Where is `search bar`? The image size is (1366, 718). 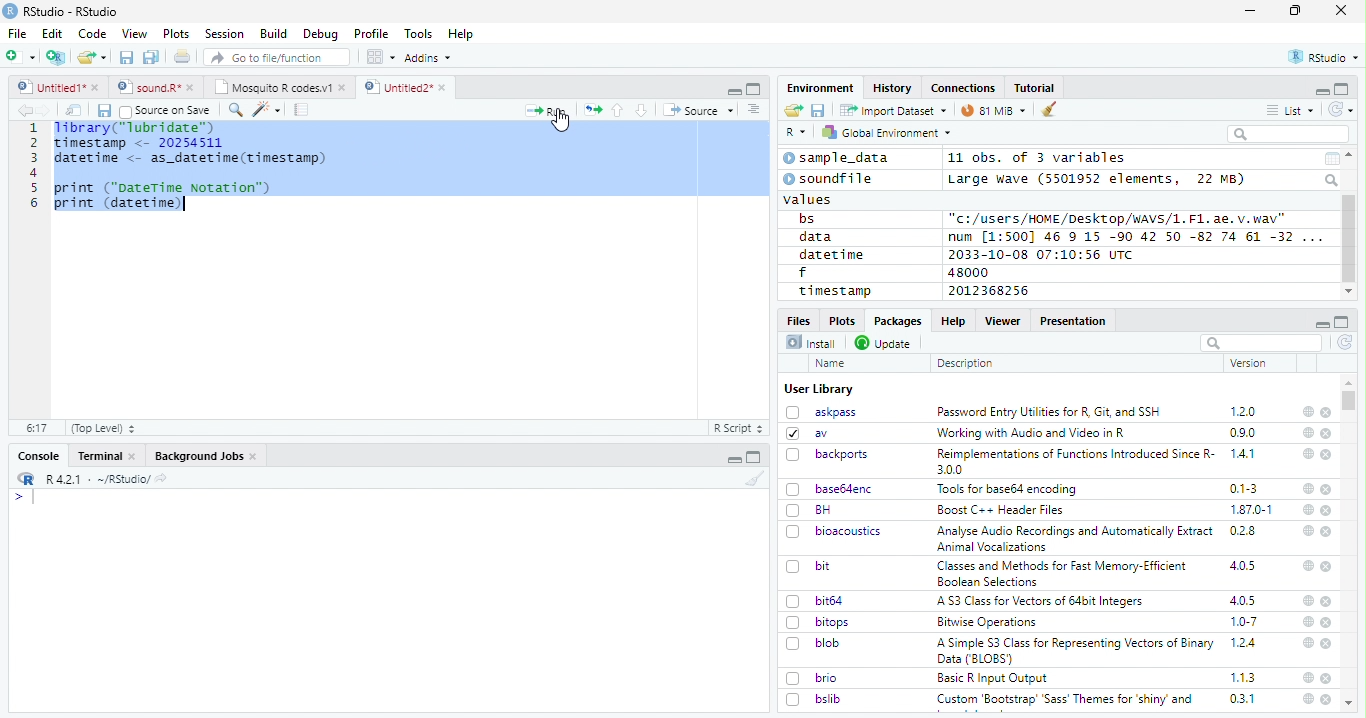 search bar is located at coordinates (1259, 342).